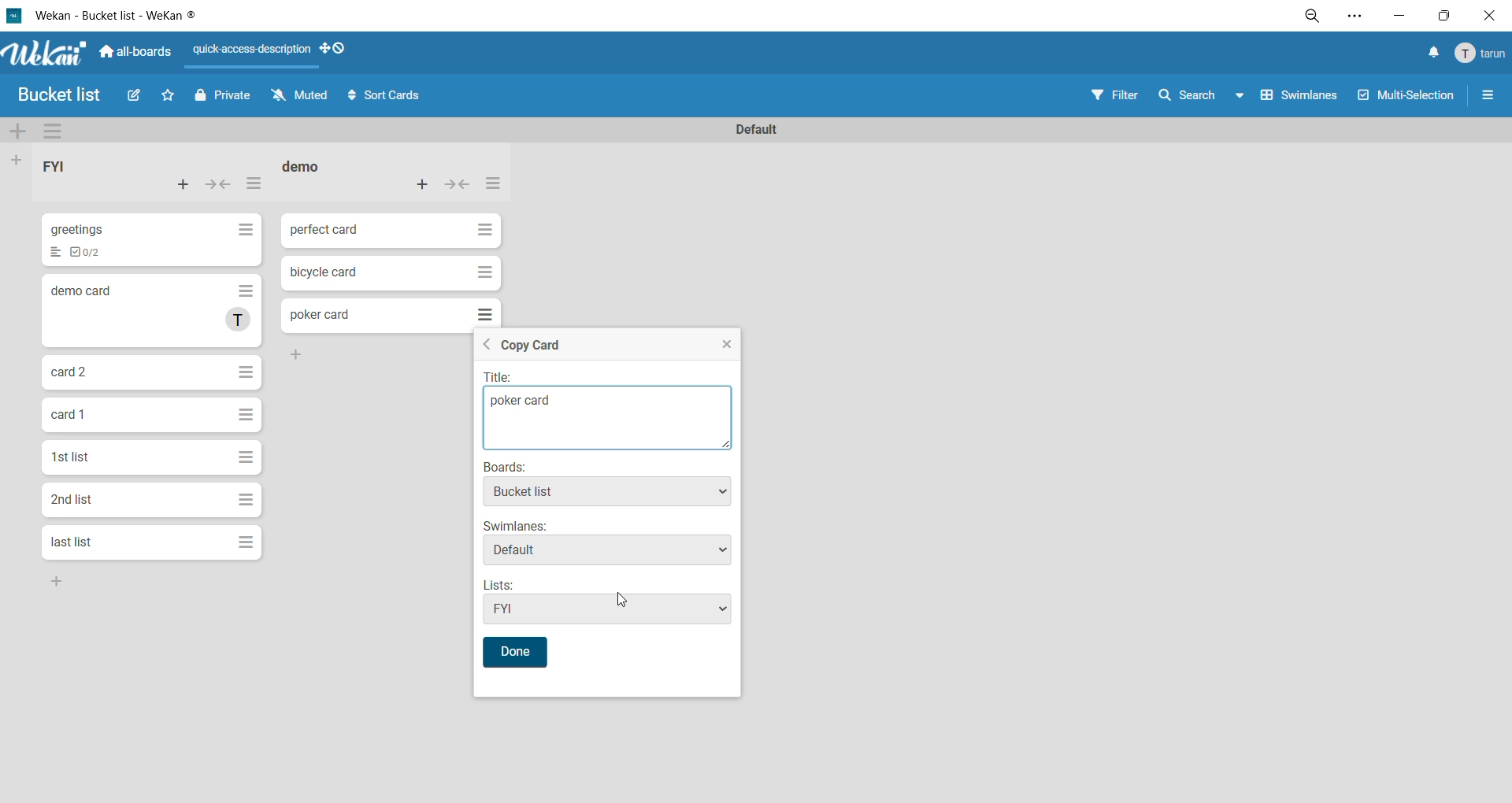 This screenshot has width=1512, height=803. What do you see at coordinates (137, 98) in the screenshot?
I see `edit` at bounding box center [137, 98].